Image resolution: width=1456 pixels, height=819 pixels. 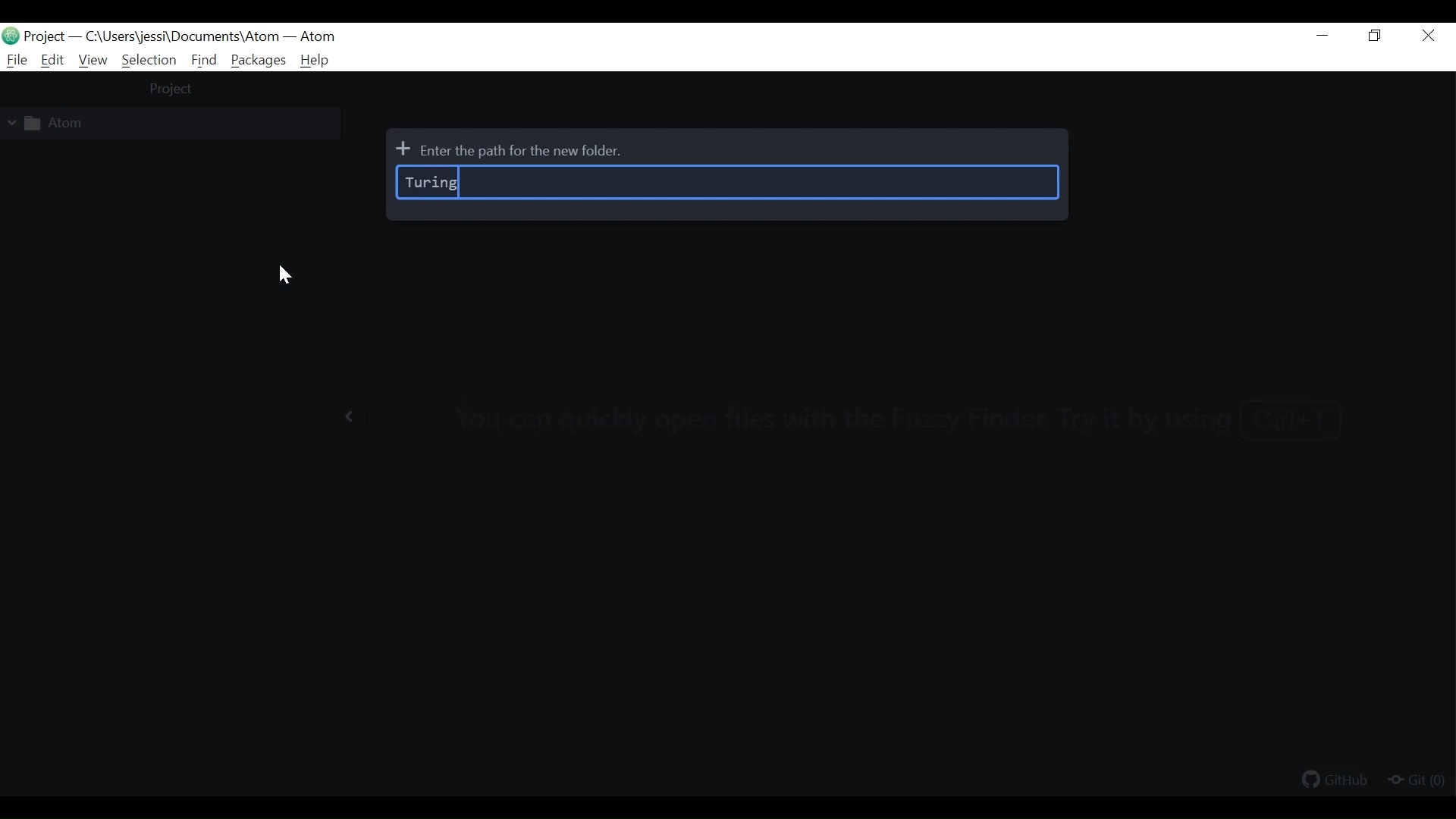 What do you see at coordinates (14, 60) in the screenshot?
I see `File` at bounding box center [14, 60].